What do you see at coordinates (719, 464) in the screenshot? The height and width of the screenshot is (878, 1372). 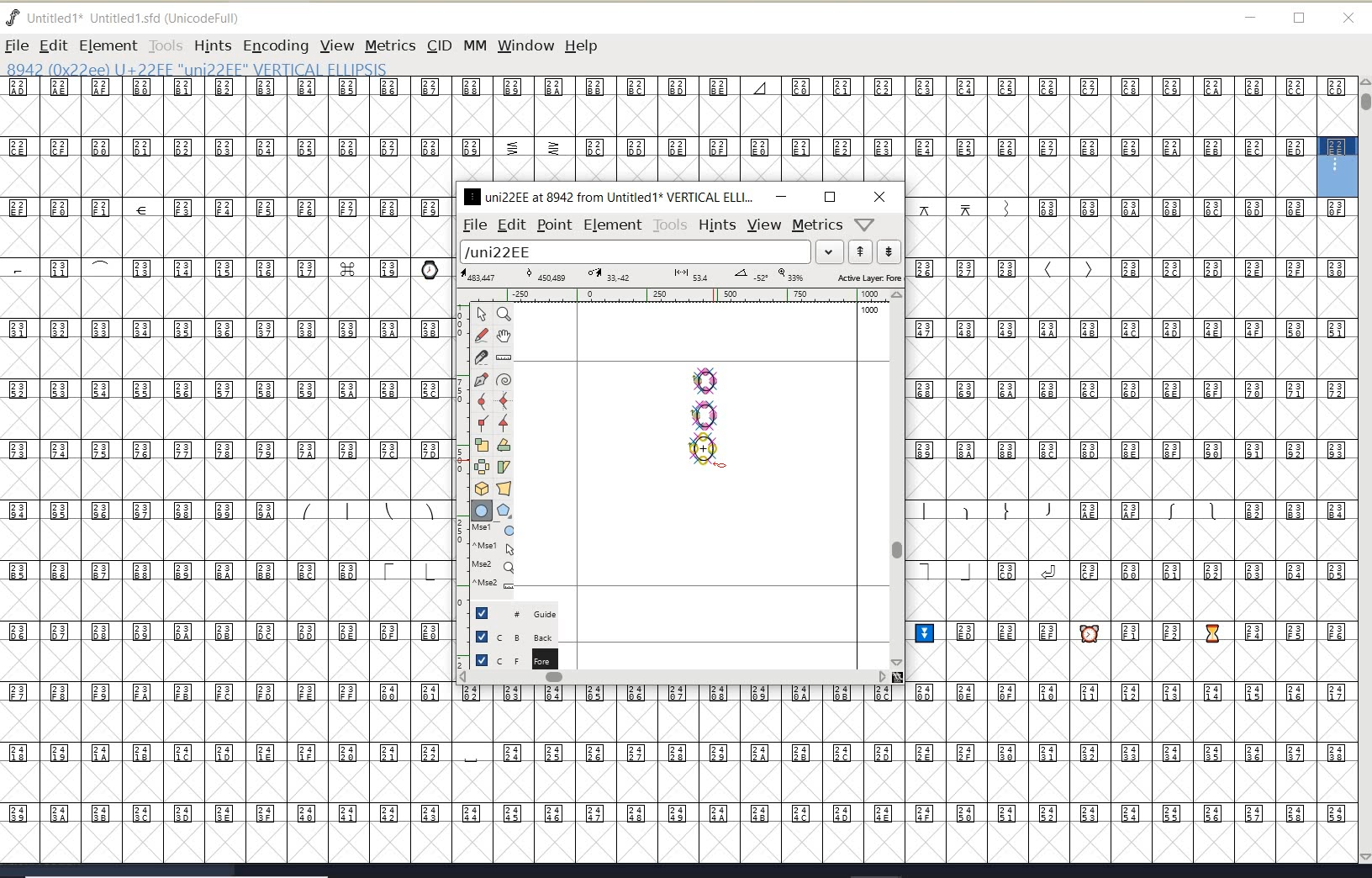 I see `ellipse tool` at bounding box center [719, 464].